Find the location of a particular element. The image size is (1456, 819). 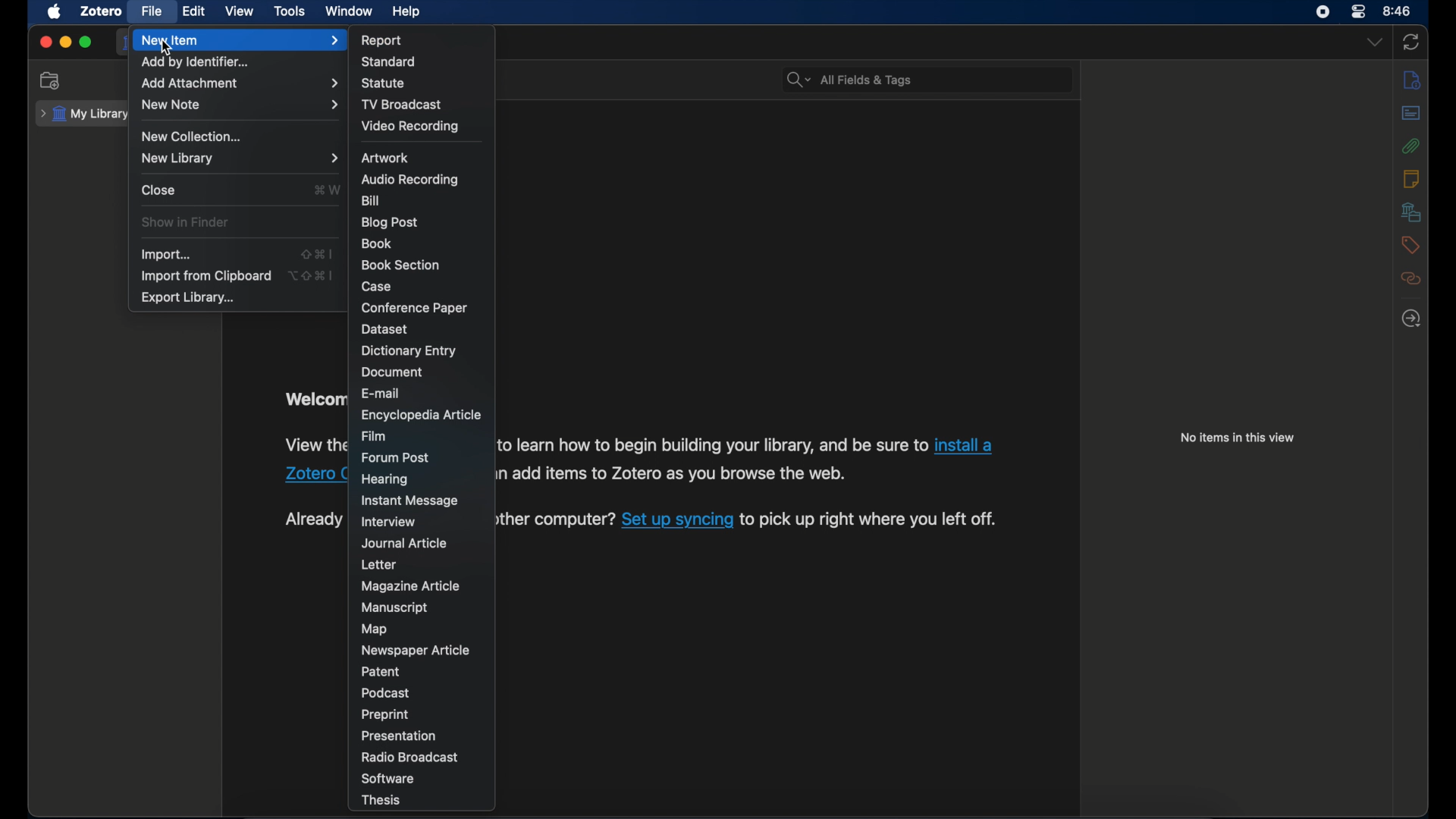

window is located at coordinates (349, 11).